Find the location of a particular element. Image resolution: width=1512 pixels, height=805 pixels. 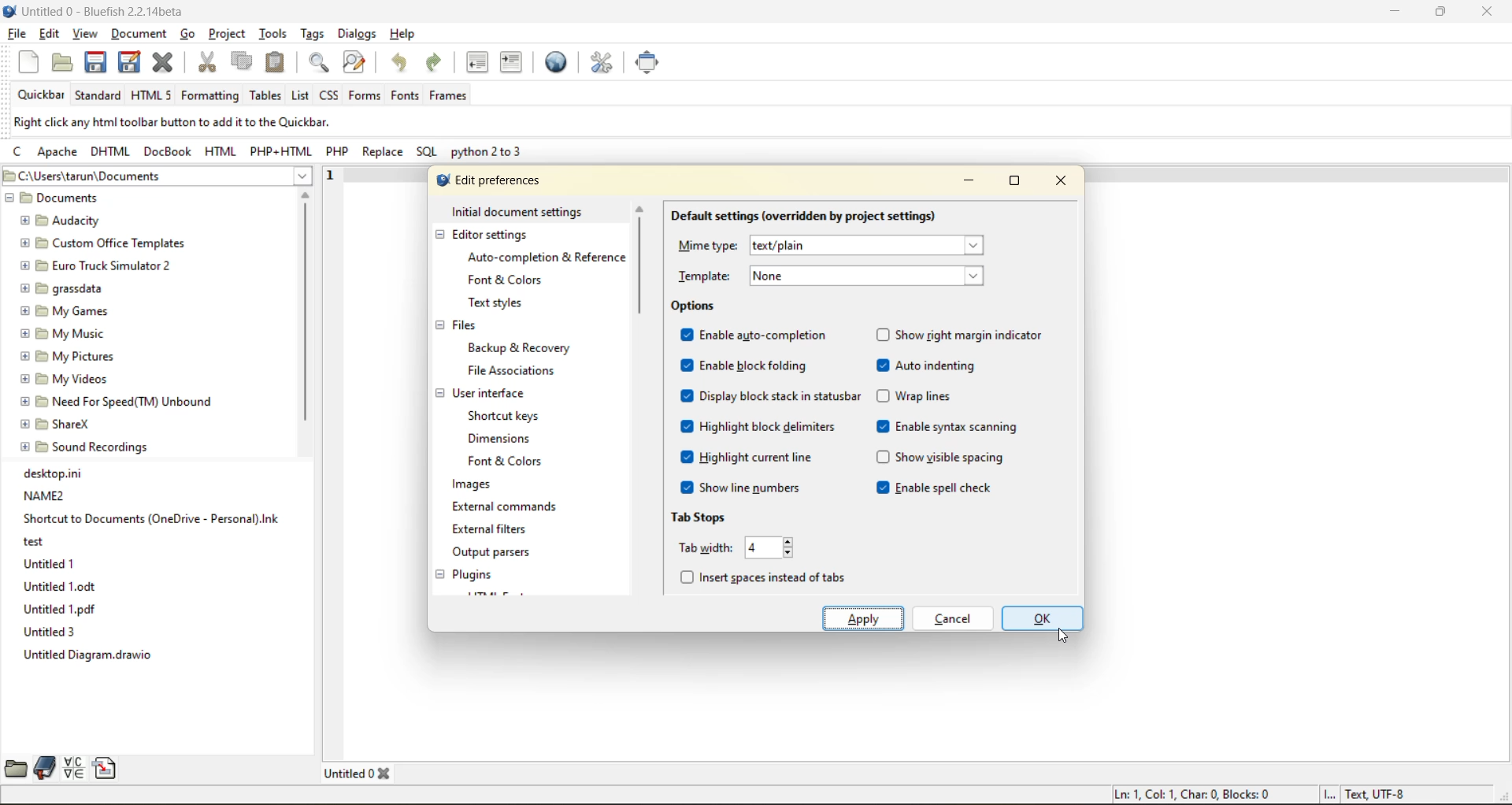

maximize is located at coordinates (1440, 14).